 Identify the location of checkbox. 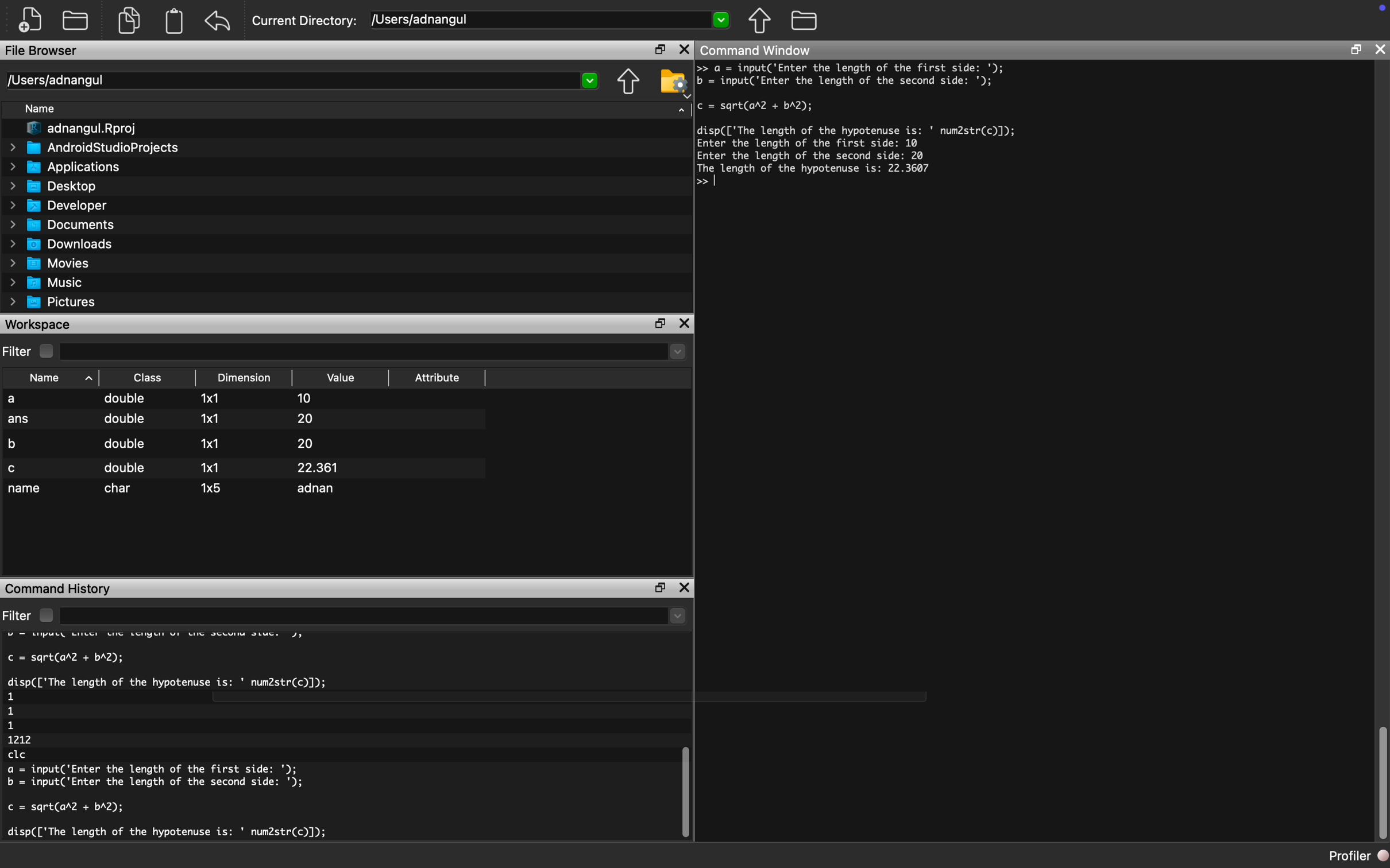
(49, 351).